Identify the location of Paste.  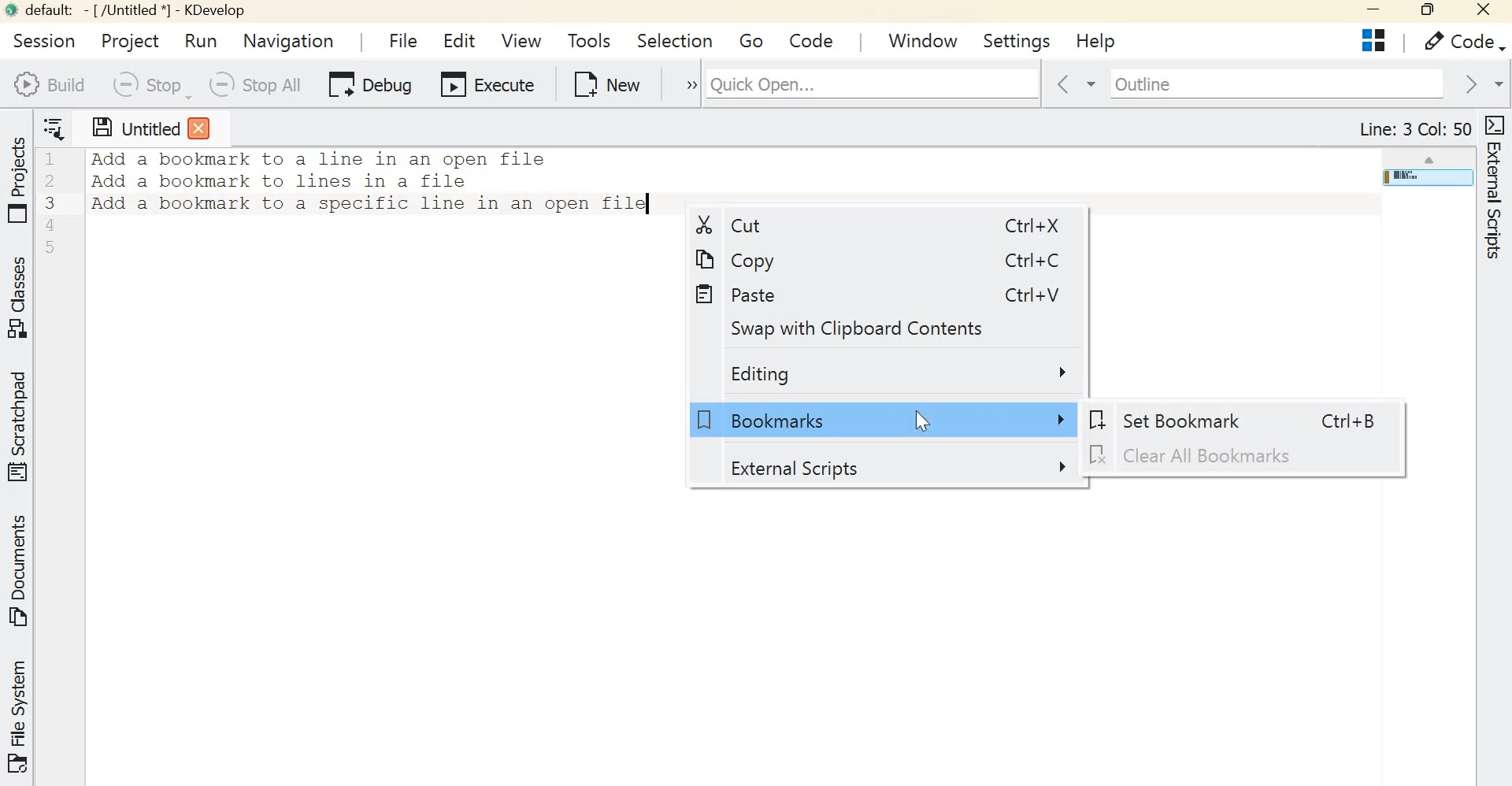
(740, 294).